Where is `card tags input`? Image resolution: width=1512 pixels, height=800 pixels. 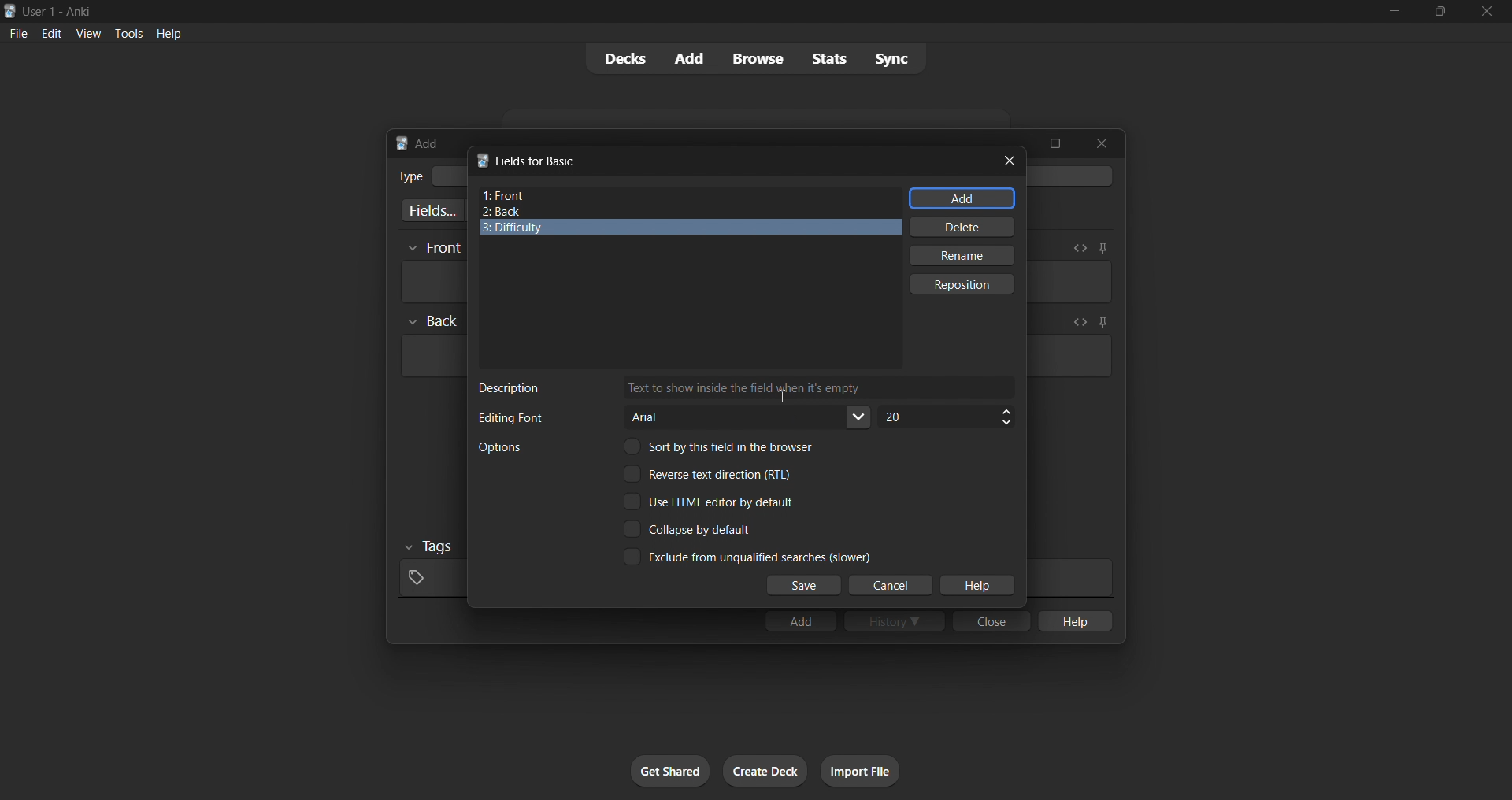
card tags input is located at coordinates (430, 579).